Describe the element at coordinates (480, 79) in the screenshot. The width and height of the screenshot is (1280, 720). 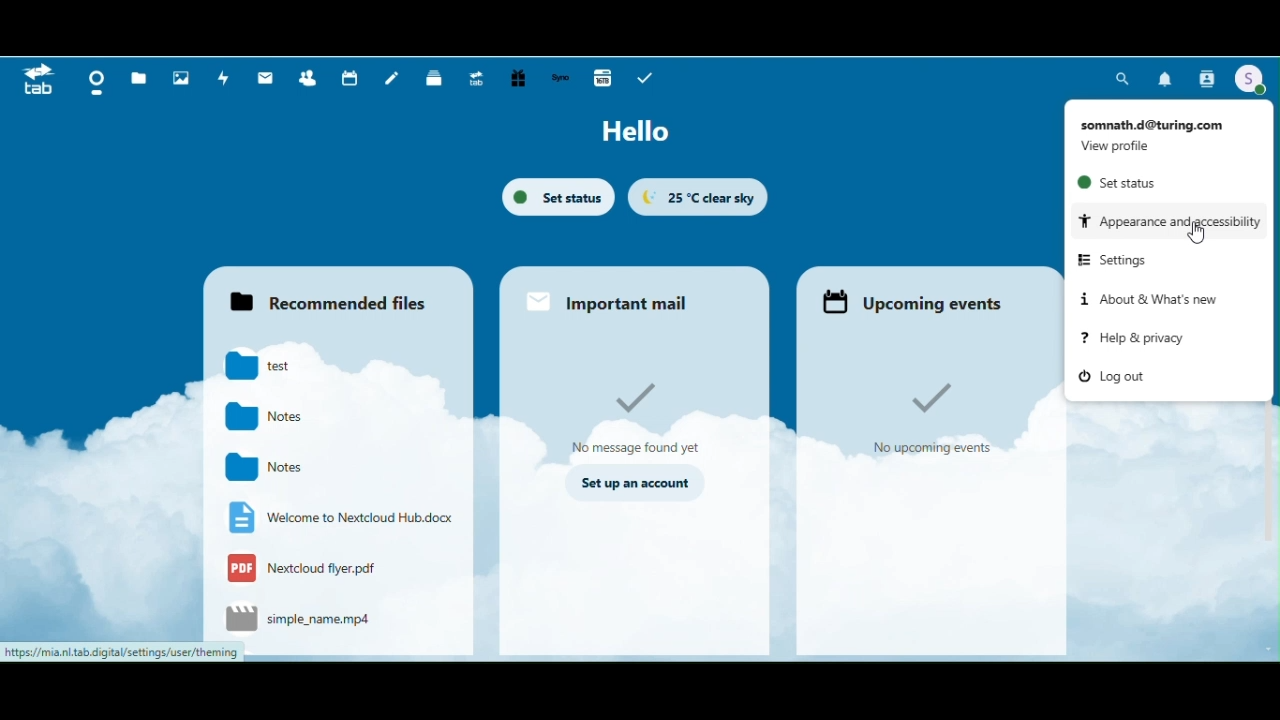
I see `Upgrade` at that location.